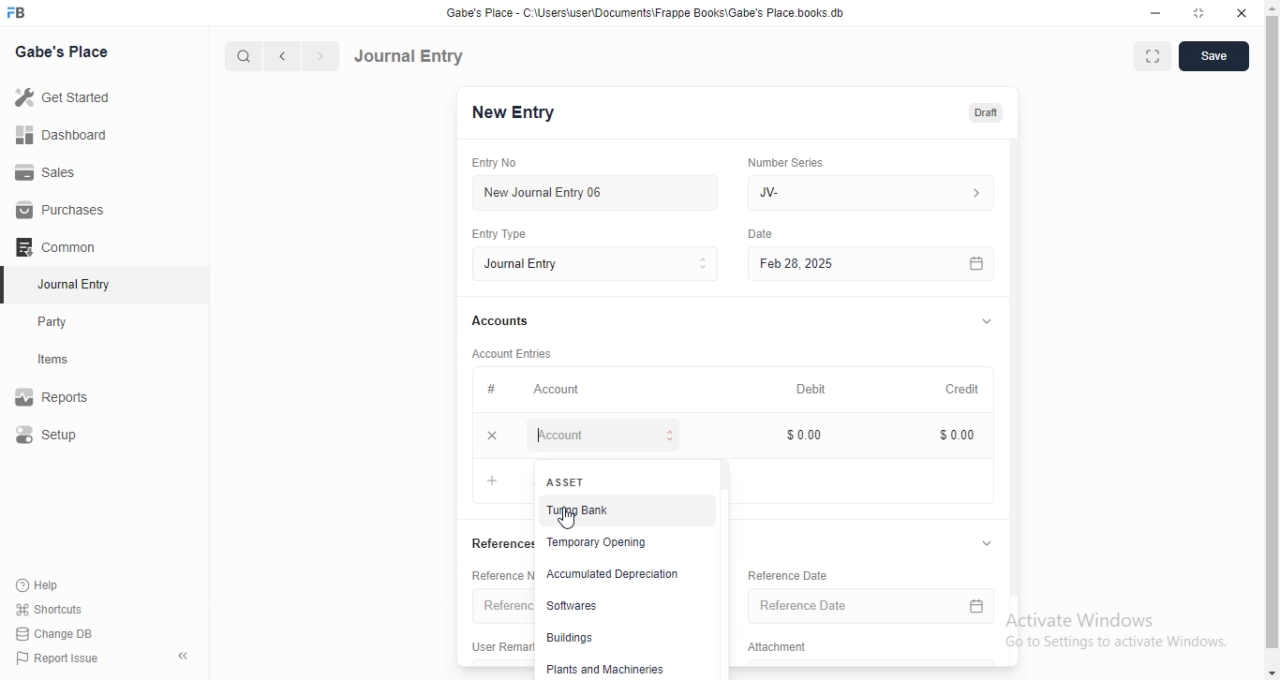  Describe the element at coordinates (508, 163) in the screenshot. I see `Entry No.` at that location.